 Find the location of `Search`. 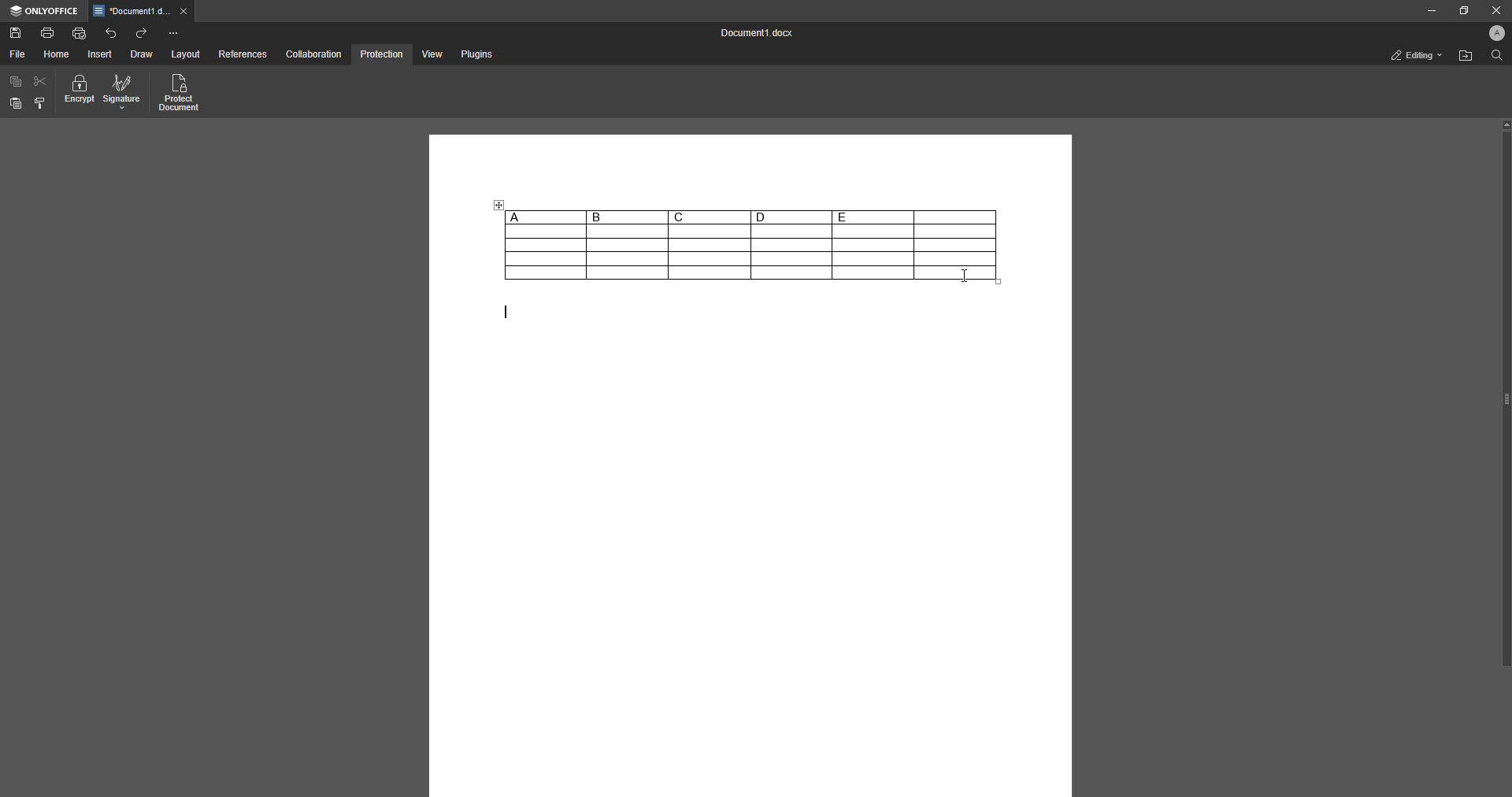

Search is located at coordinates (1495, 57).